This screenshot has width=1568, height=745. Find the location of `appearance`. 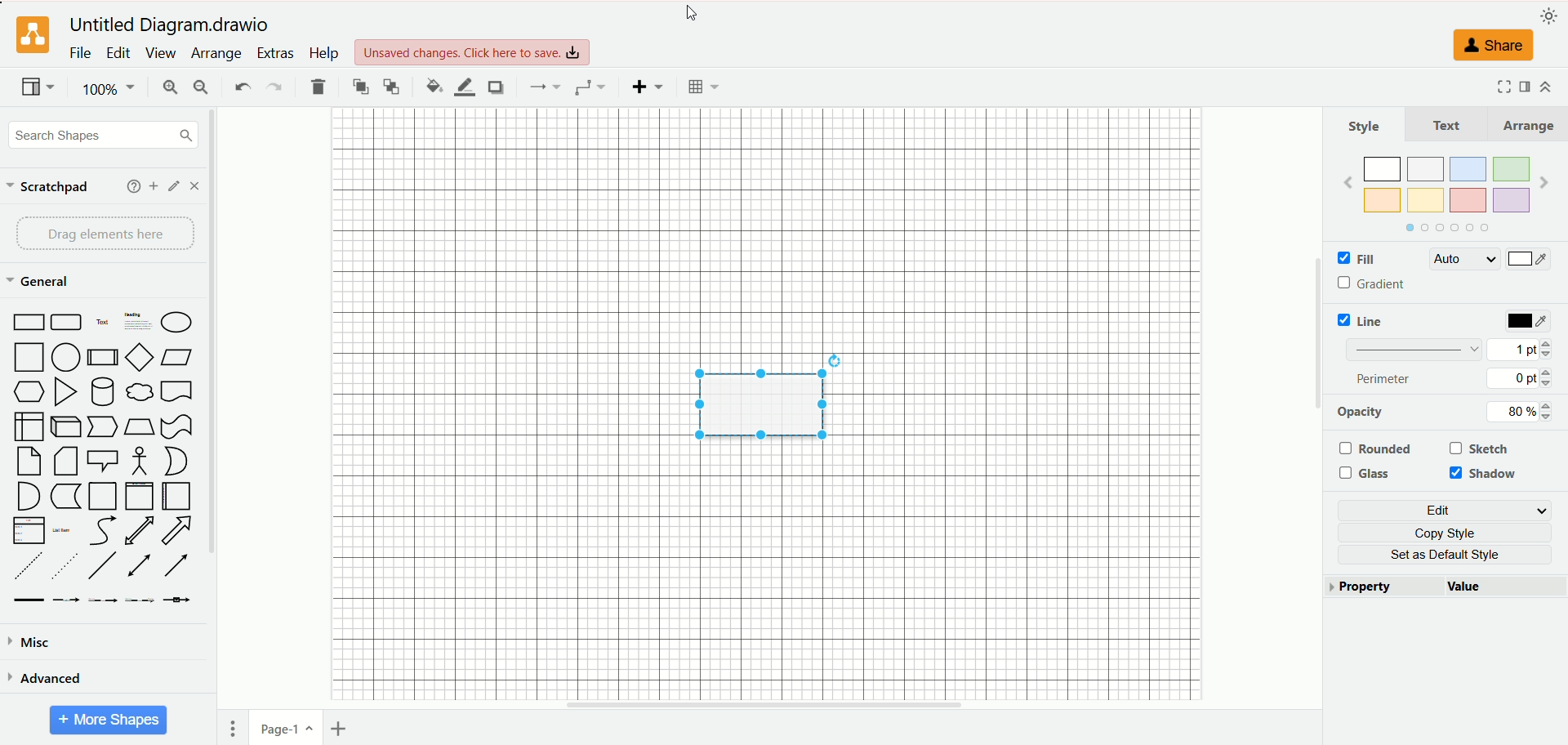

appearance is located at coordinates (1549, 14).